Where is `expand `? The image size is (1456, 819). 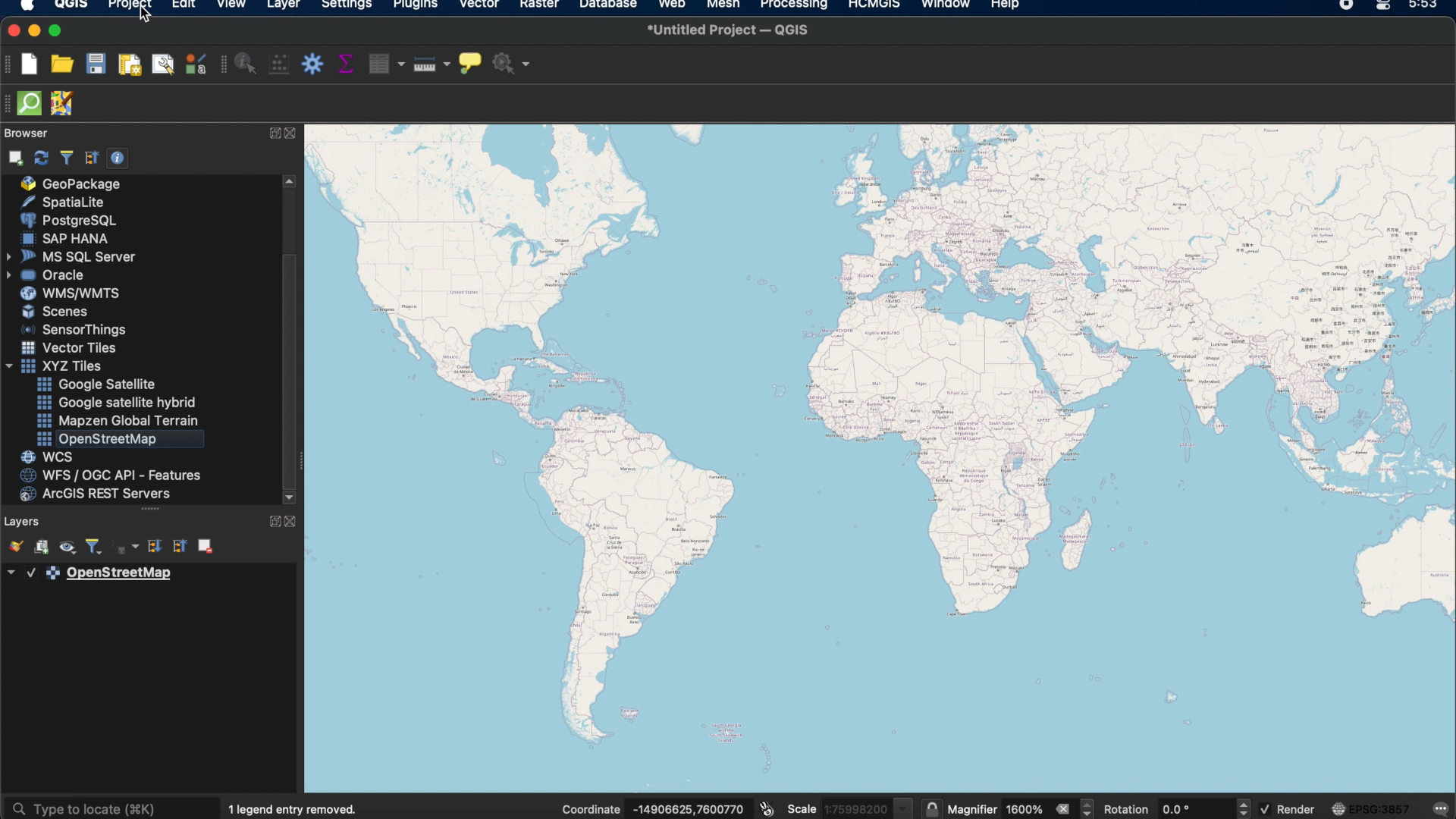 expand  is located at coordinates (272, 520).